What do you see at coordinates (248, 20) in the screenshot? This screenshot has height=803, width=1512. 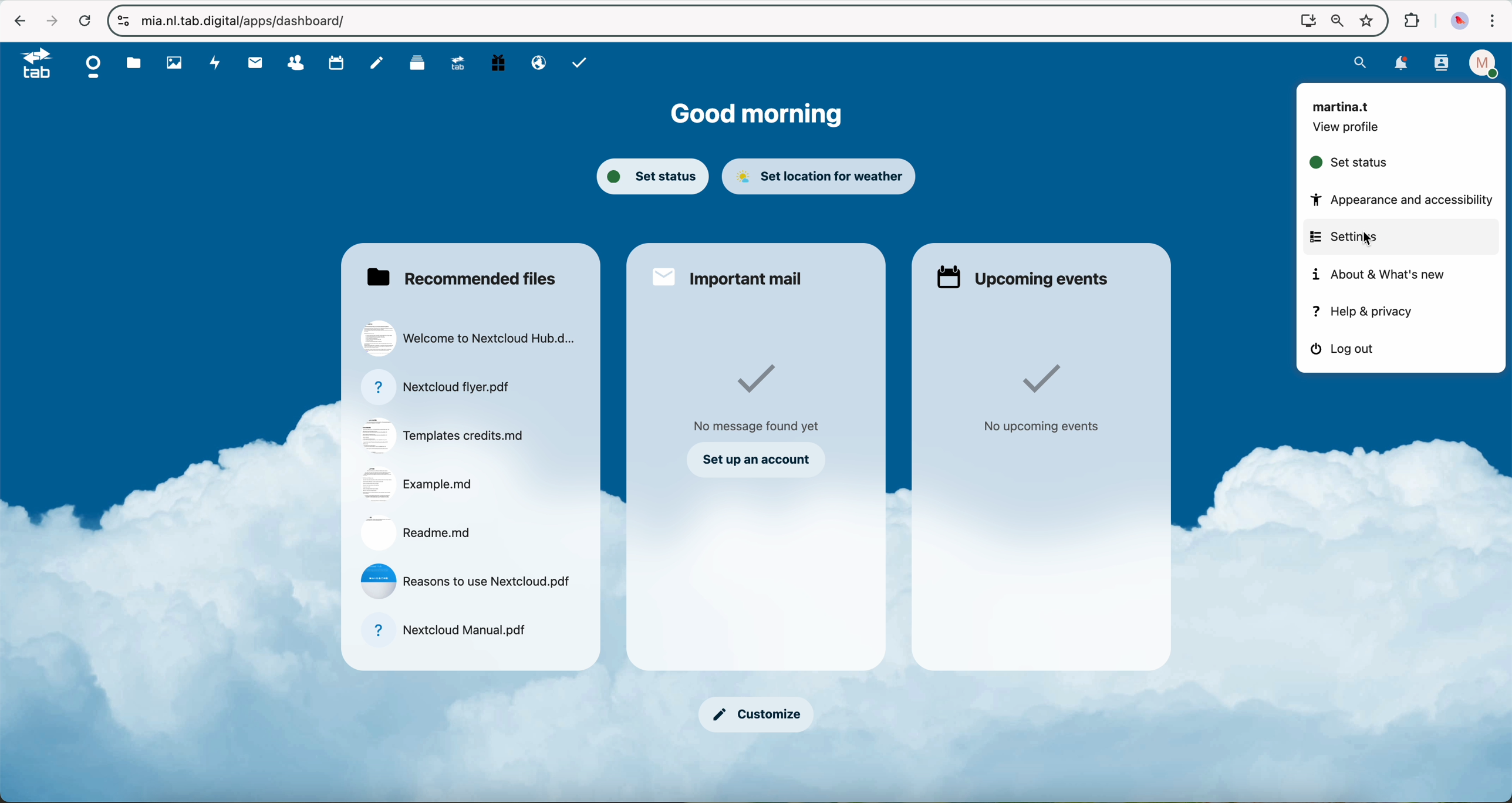 I see `URL` at bounding box center [248, 20].